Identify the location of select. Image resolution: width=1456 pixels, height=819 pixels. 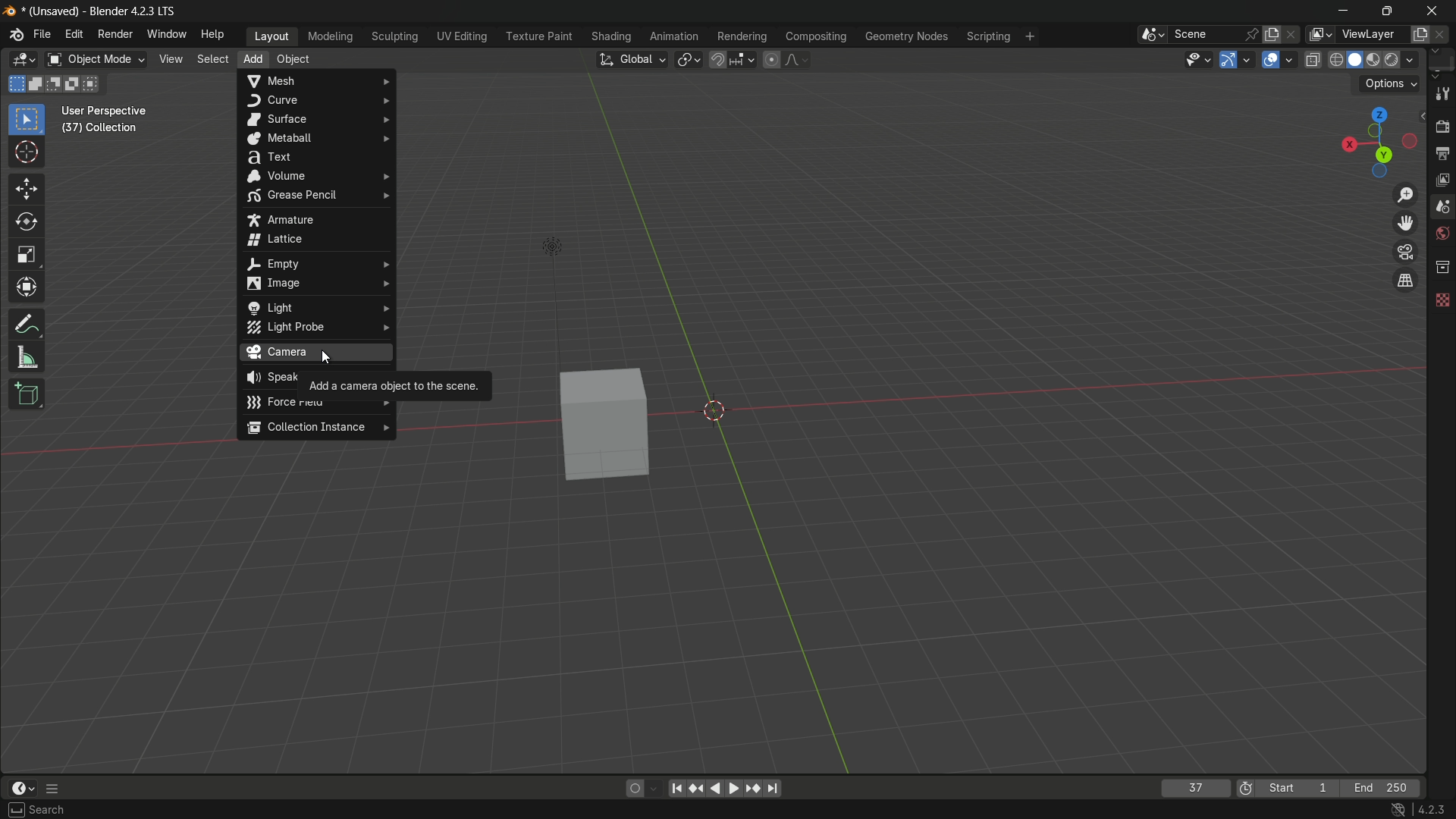
(210, 58).